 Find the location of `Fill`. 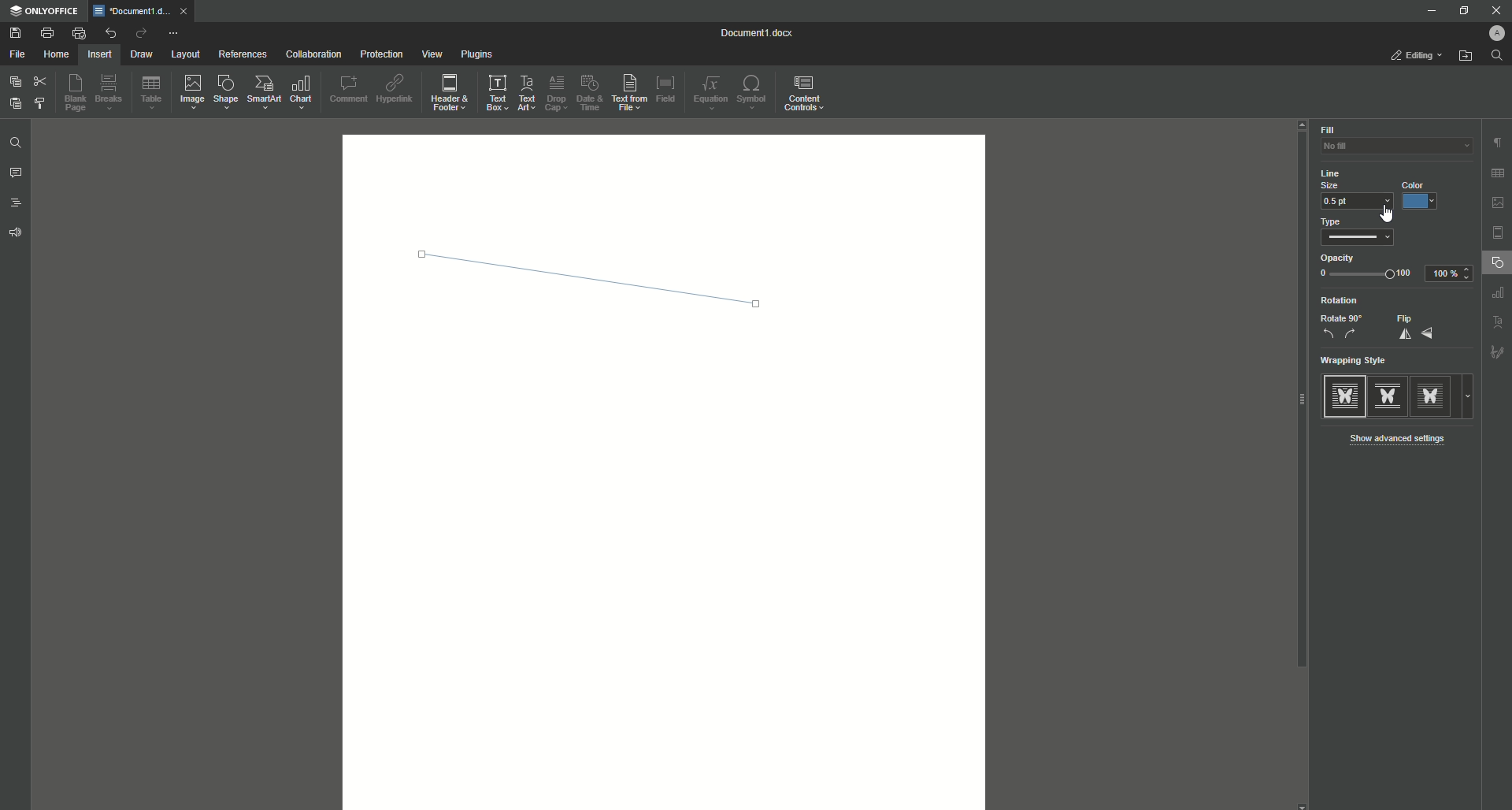

Fill is located at coordinates (1328, 130).